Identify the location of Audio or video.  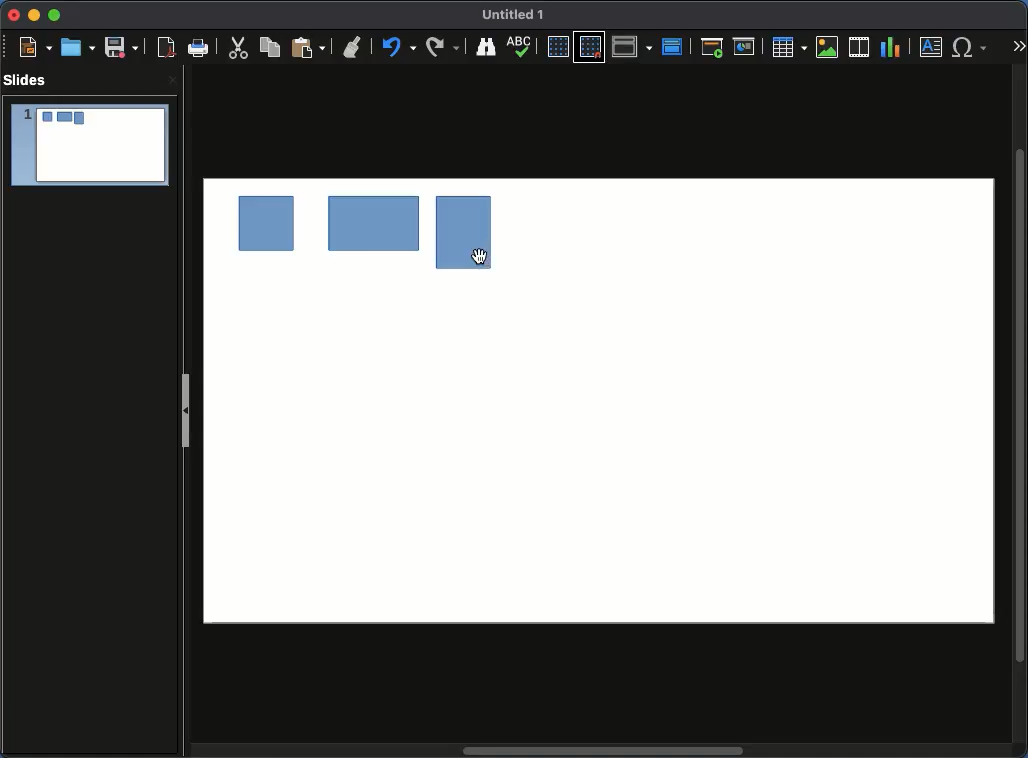
(860, 47).